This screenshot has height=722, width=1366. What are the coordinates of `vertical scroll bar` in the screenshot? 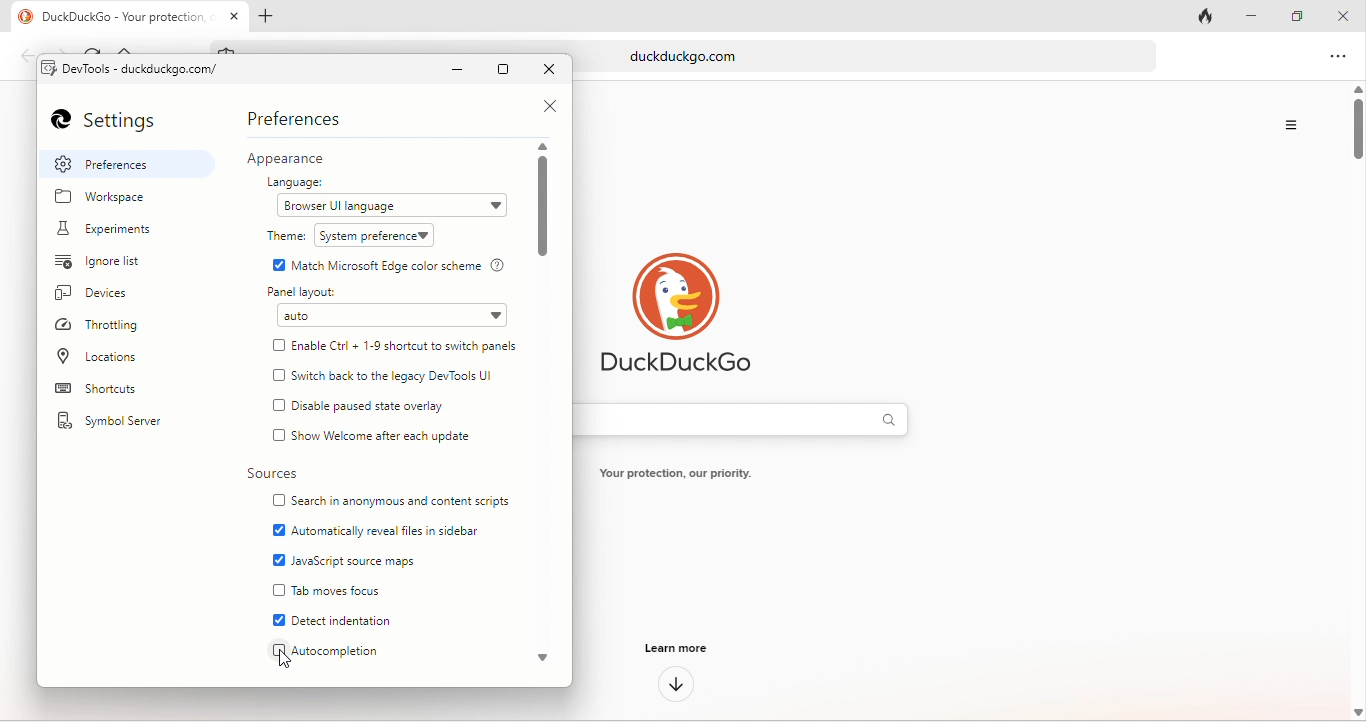 It's located at (543, 208).